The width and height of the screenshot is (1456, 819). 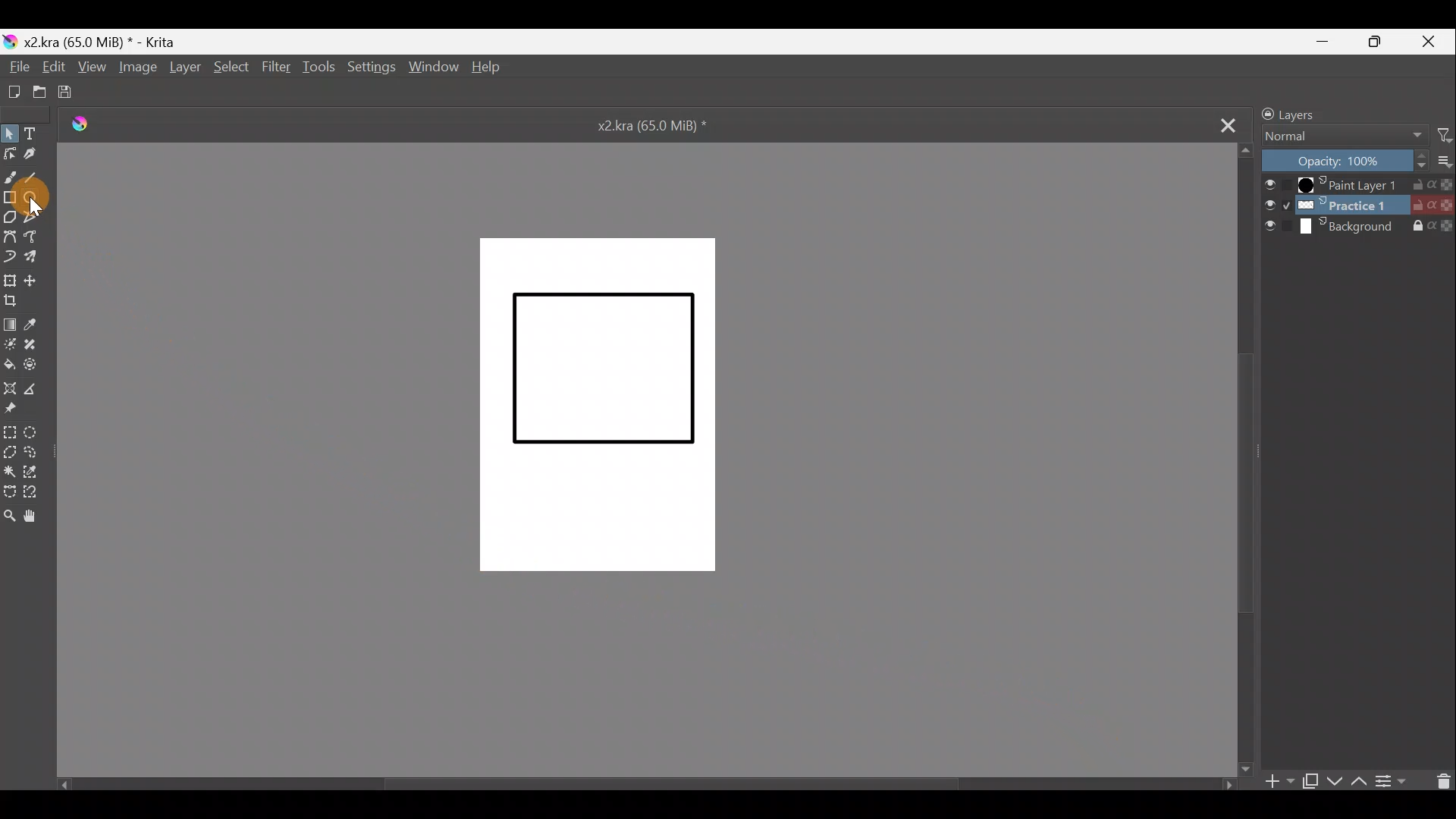 I want to click on Polyline tool, so click(x=36, y=218).